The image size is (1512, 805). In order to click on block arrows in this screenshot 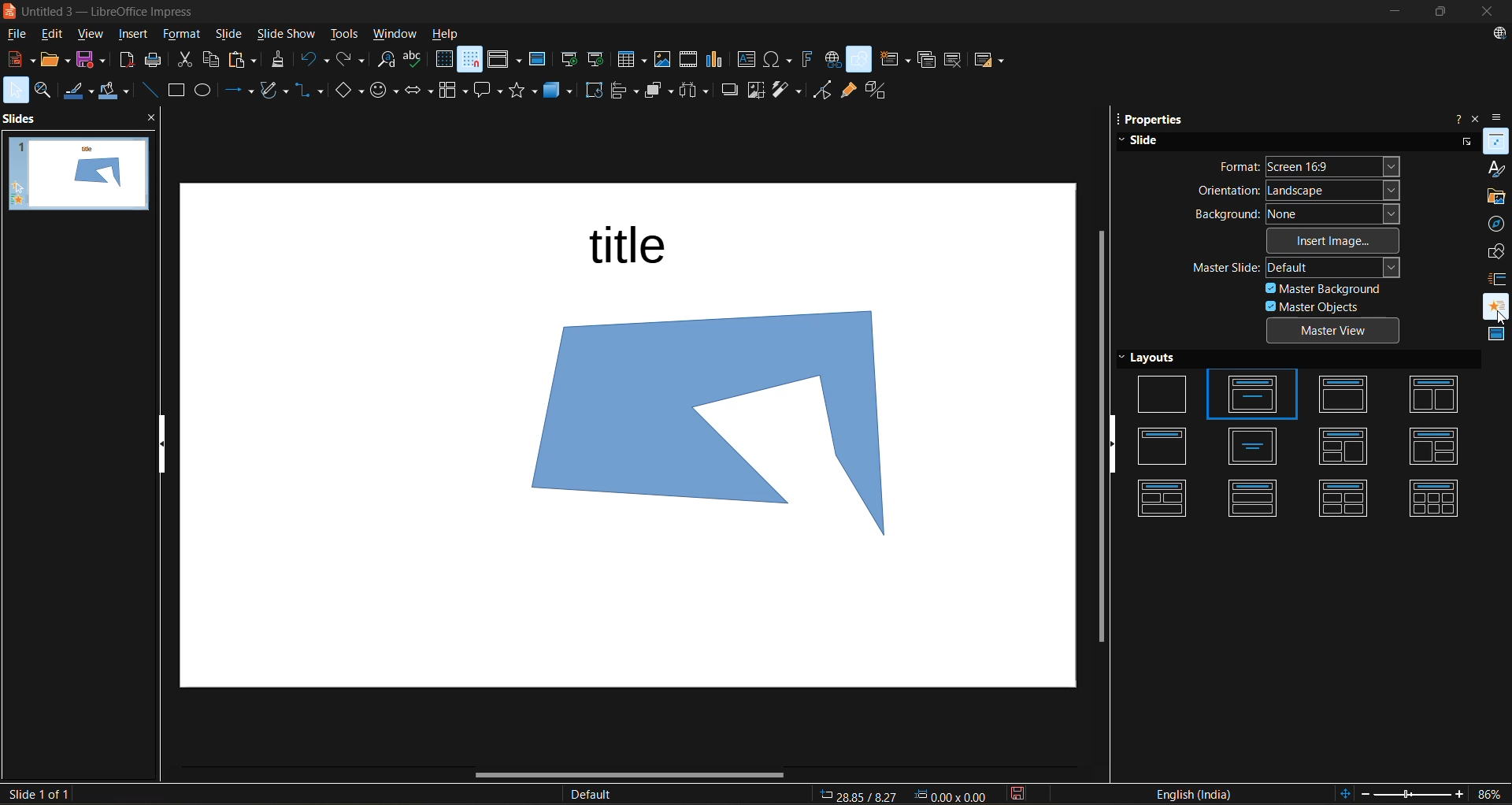, I will do `click(421, 92)`.